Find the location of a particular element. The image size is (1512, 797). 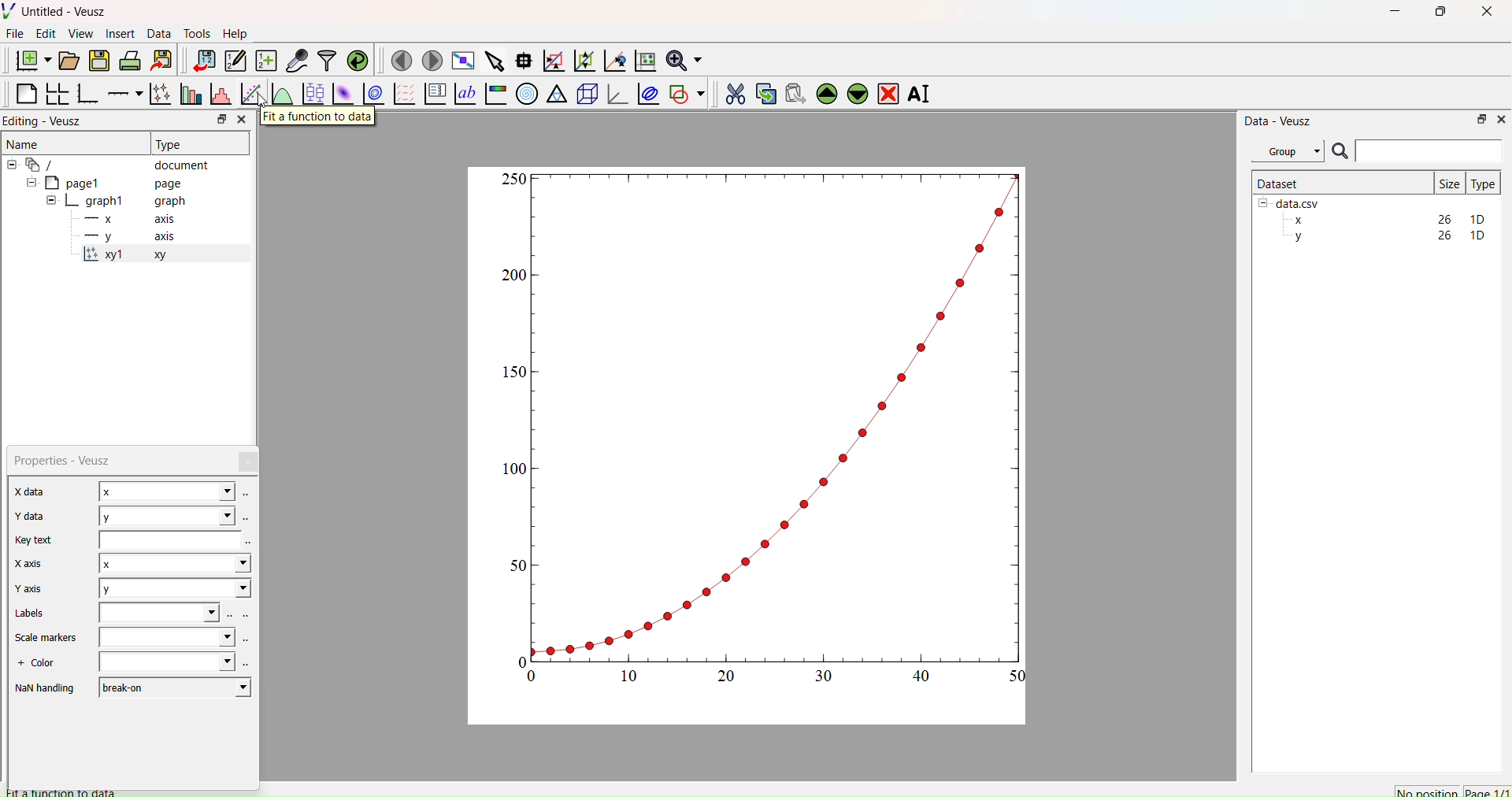

Select using dataset browser is located at coordinates (240, 613).